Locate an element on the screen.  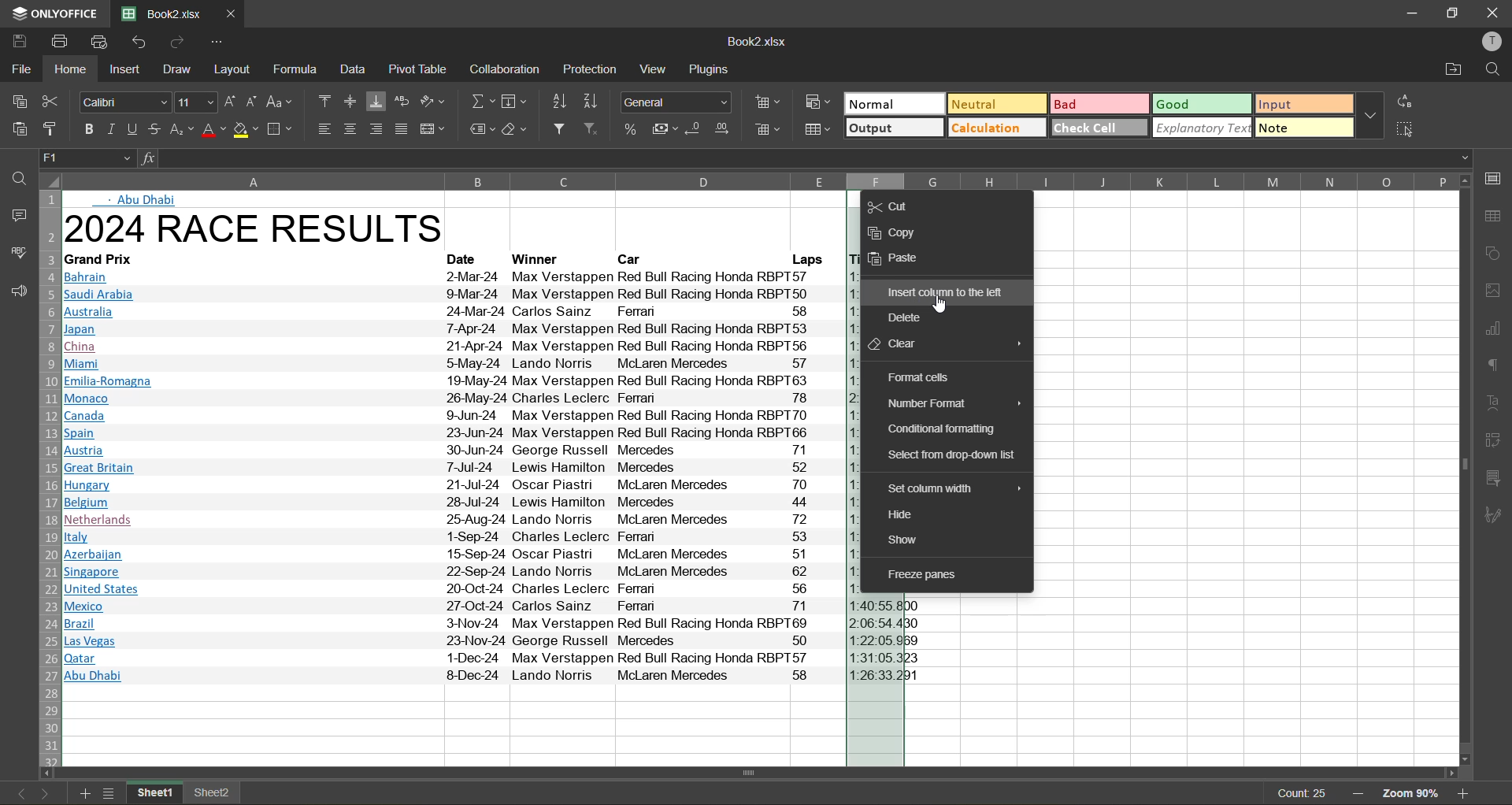
pivot table is located at coordinates (417, 69).